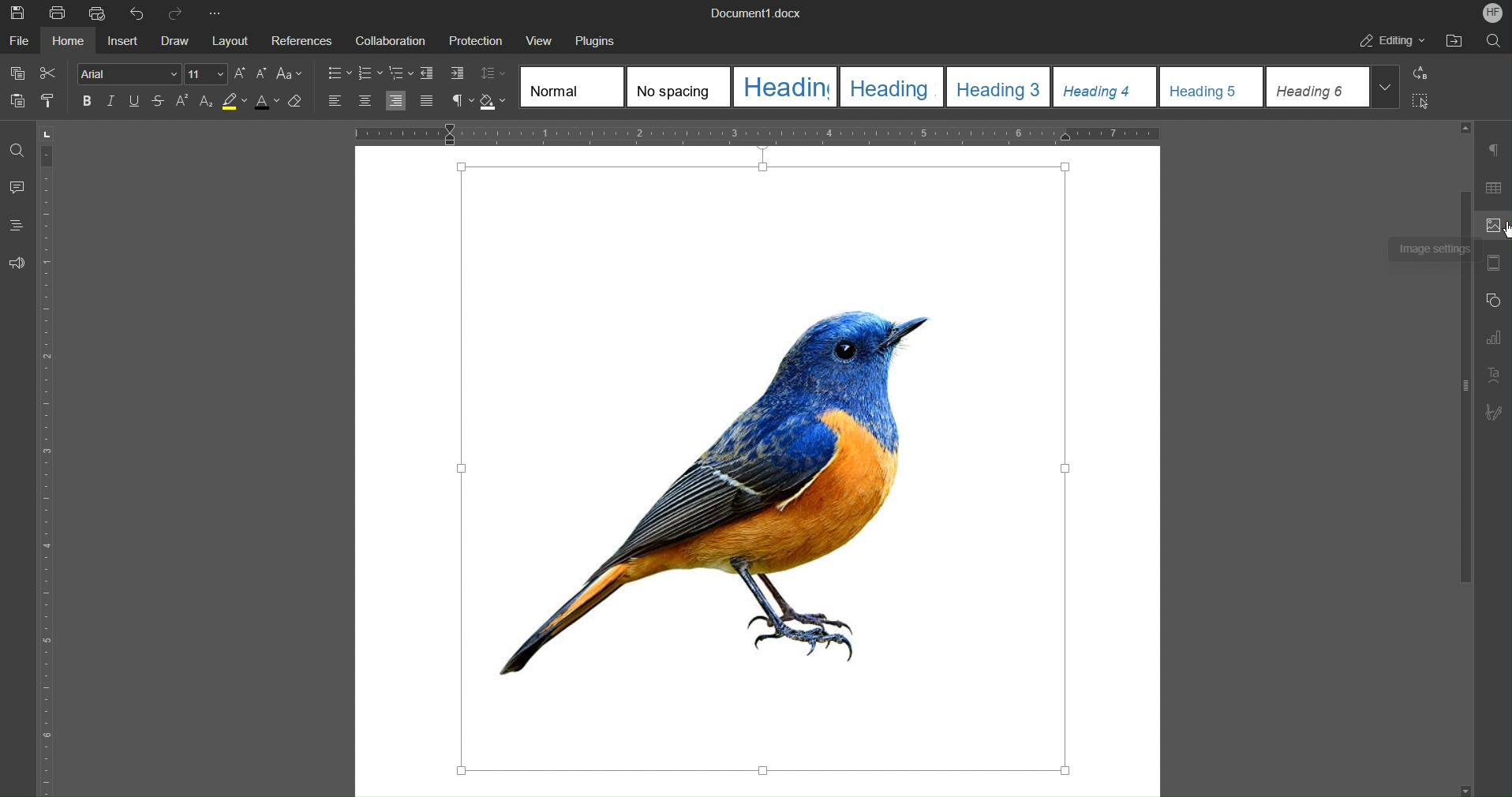  I want to click on Home, so click(67, 39).